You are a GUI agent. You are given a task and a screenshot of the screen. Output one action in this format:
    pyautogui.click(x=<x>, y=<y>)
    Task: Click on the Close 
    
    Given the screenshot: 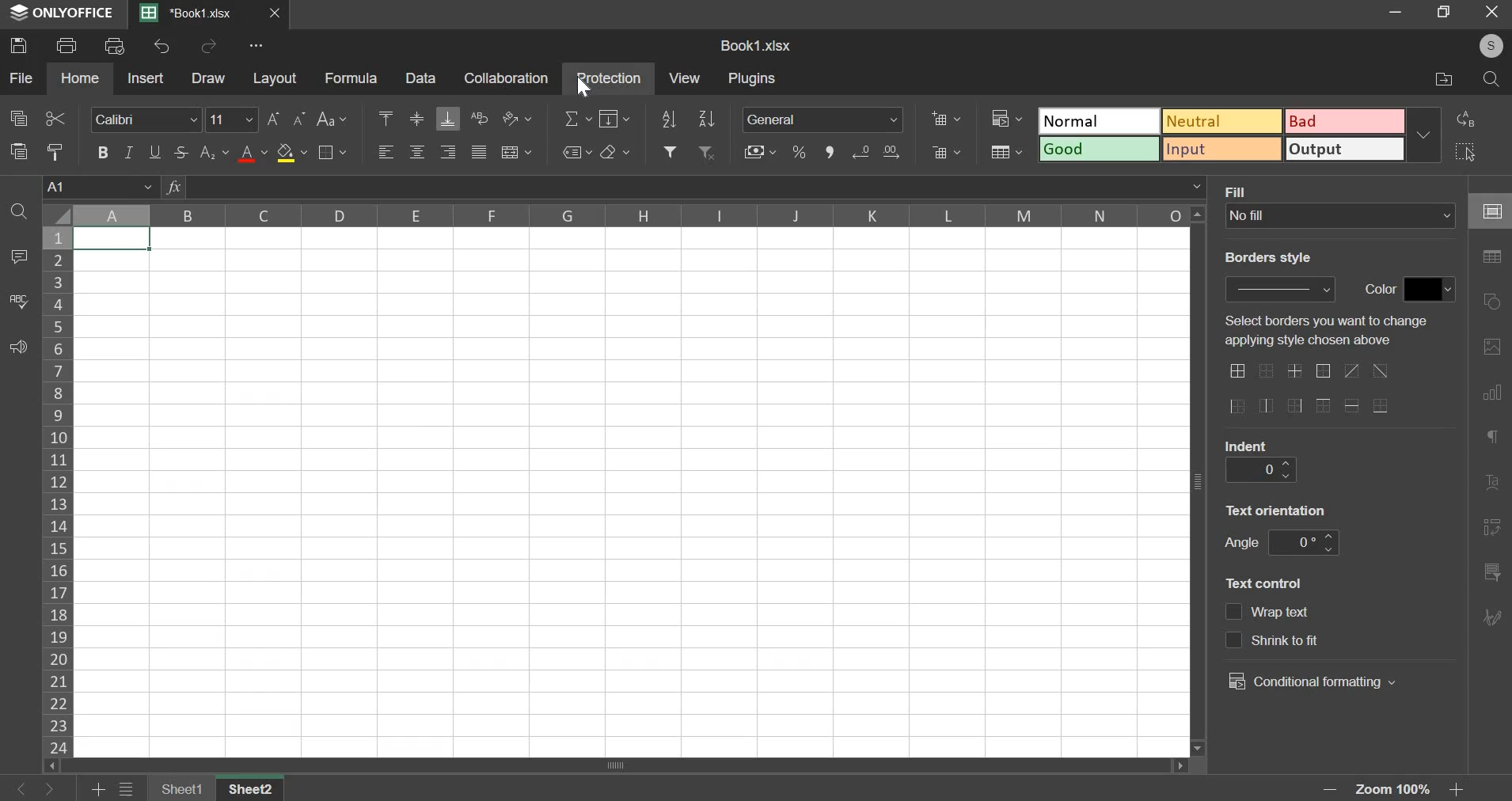 What is the action you would take?
    pyautogui.click(x=276, y=13)
    